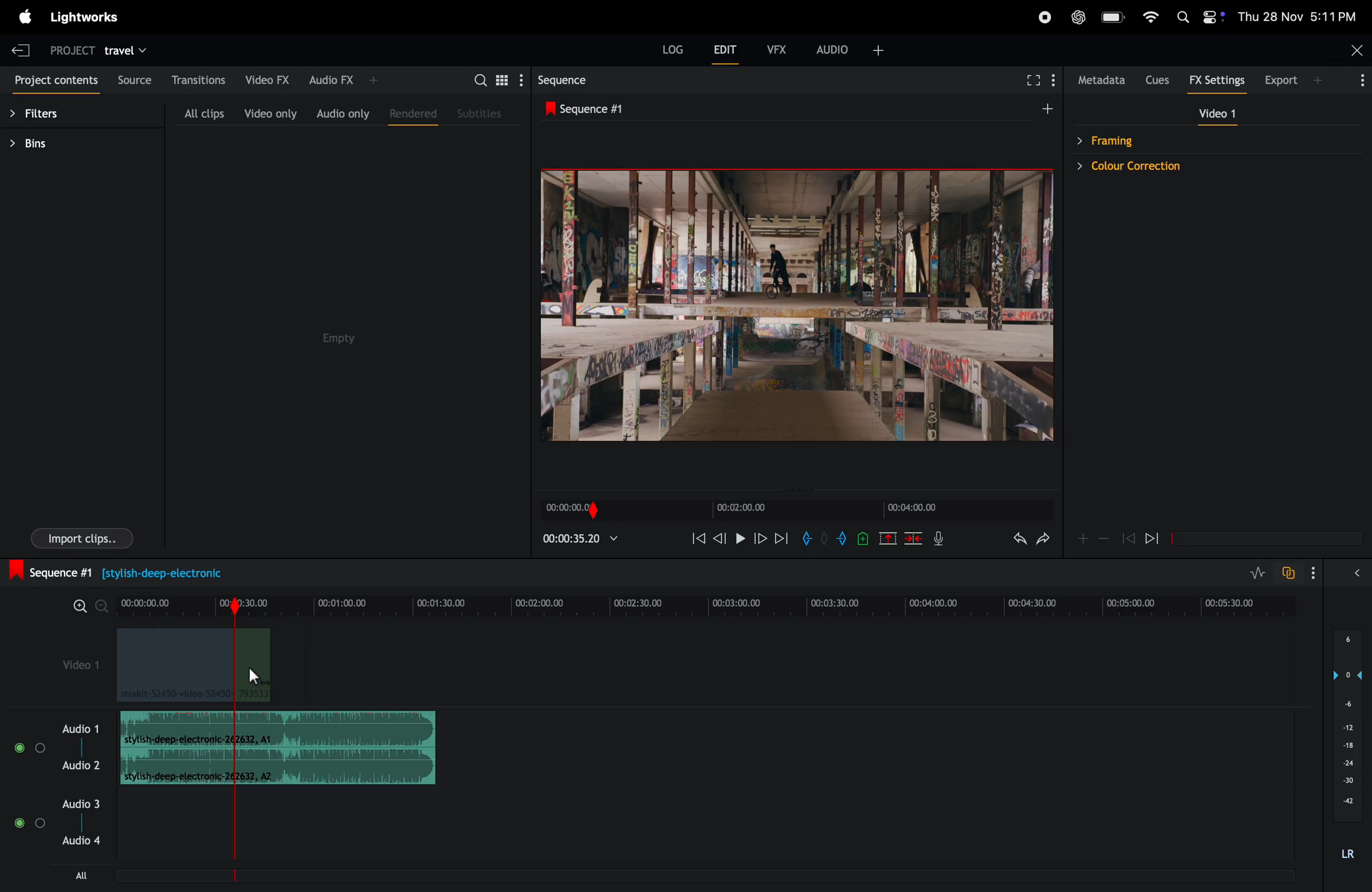  I want to click on zoom out, so click(1104, 541).